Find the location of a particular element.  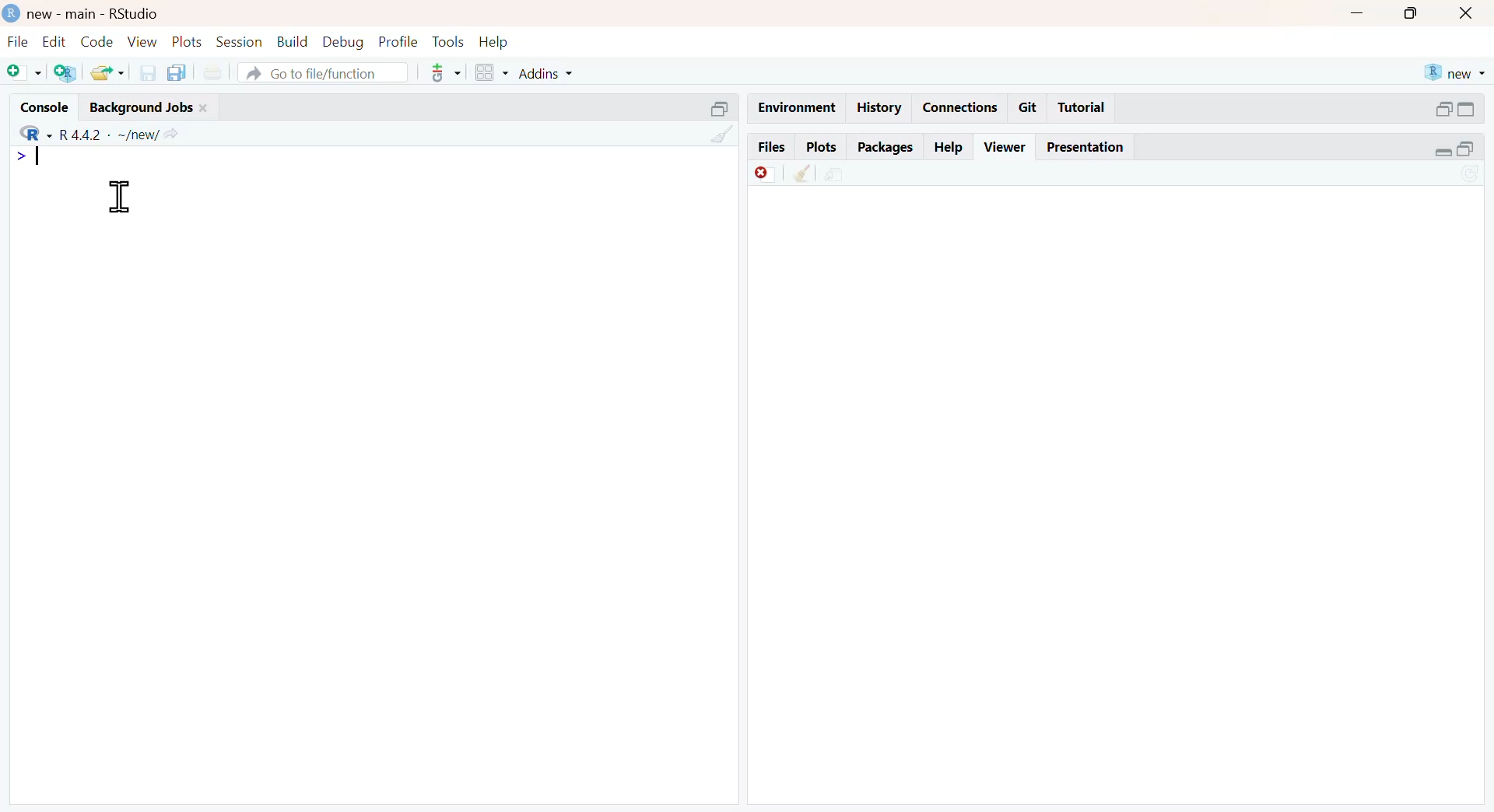

copy is located at coordinates (177, 72).